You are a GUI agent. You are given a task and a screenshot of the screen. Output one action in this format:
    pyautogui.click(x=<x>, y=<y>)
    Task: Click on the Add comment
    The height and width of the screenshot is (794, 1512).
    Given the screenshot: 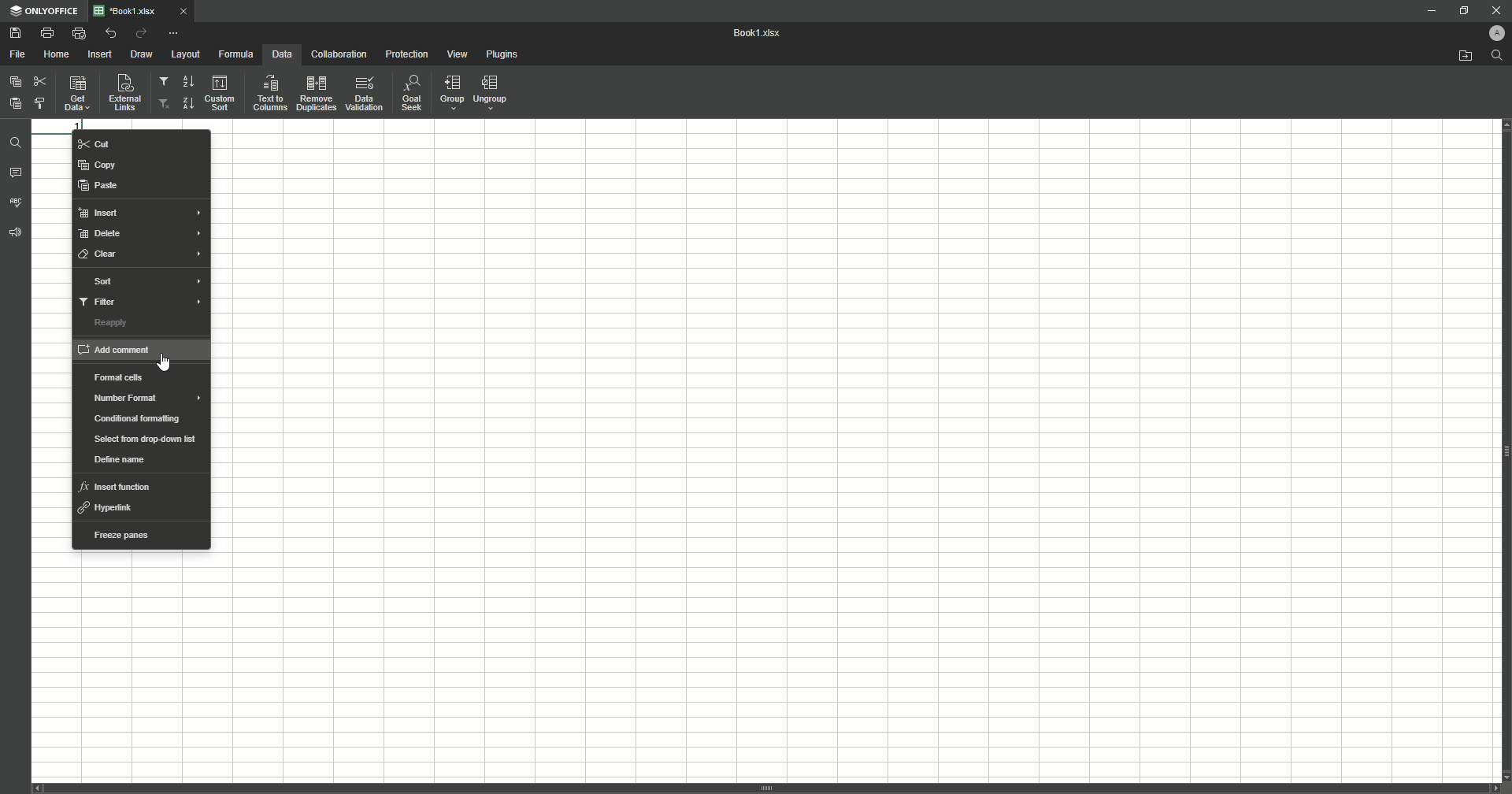 What is the action you would take?
    pyautogui.click(x=135, y=352)
    